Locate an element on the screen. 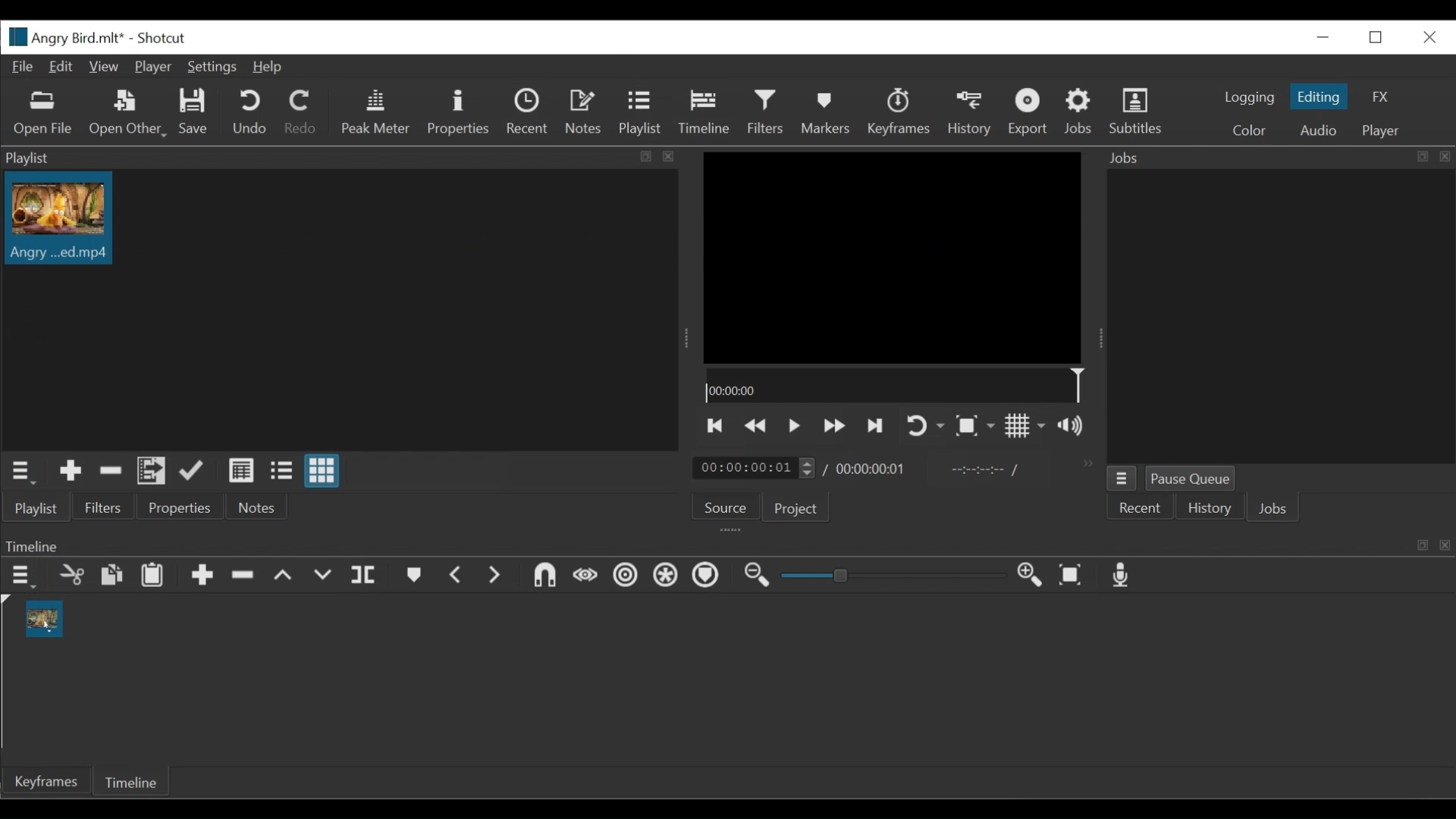  History is located at coordinates (1210, 508).